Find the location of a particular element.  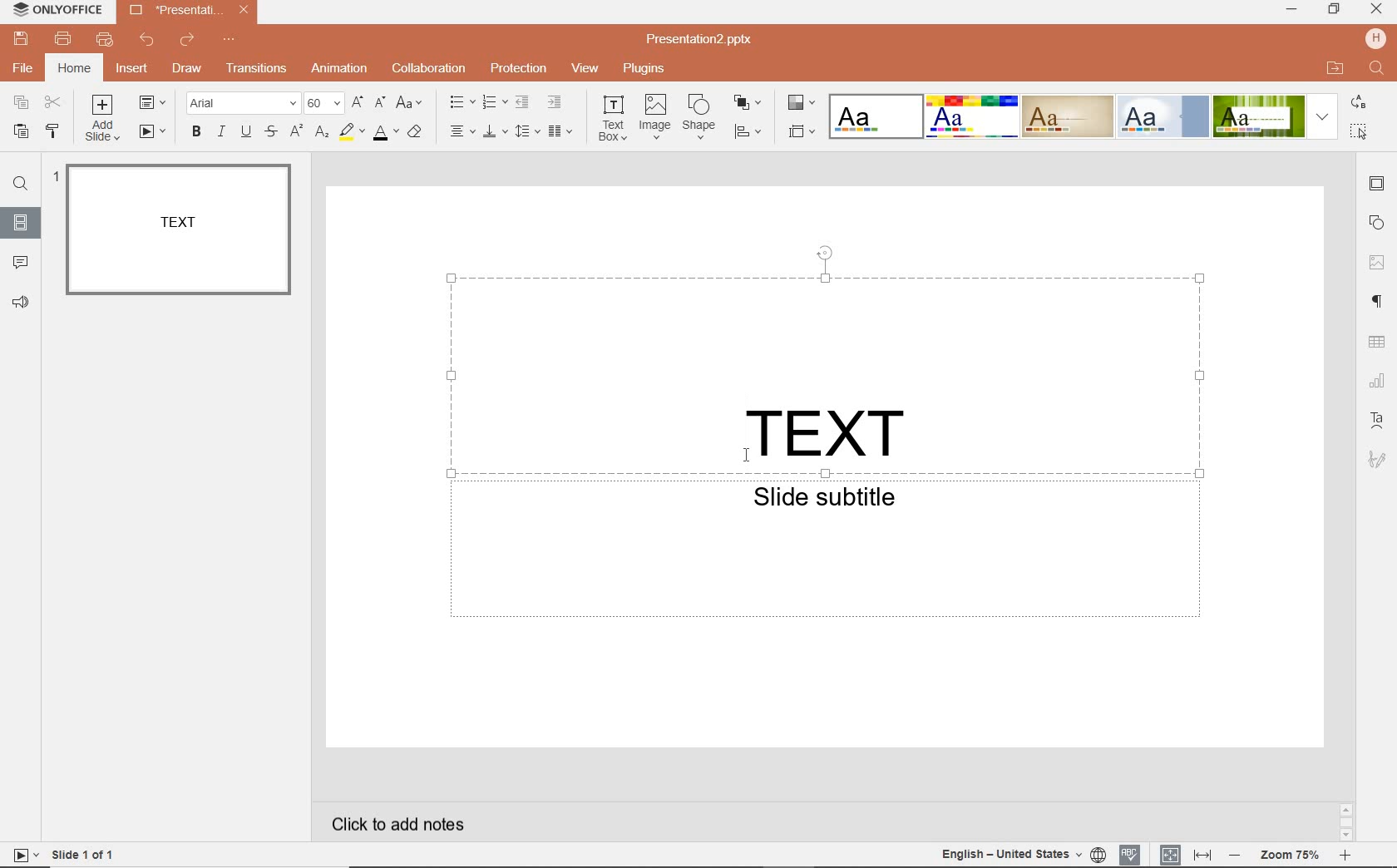

ARRANGE SHAPE is located at coordinates (748, 103).